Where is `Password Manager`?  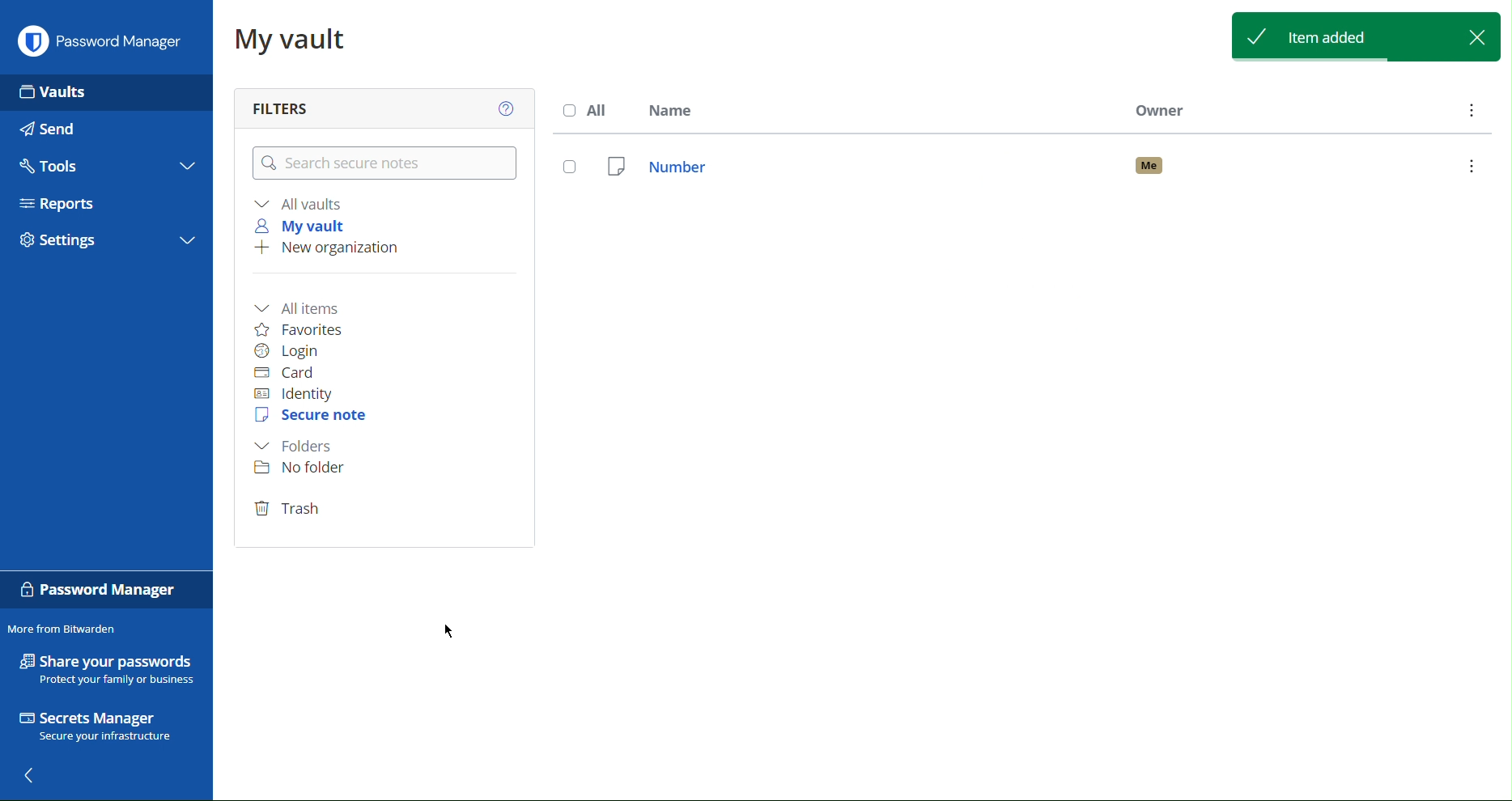 Password Manager is located at coordinates (101, 38).